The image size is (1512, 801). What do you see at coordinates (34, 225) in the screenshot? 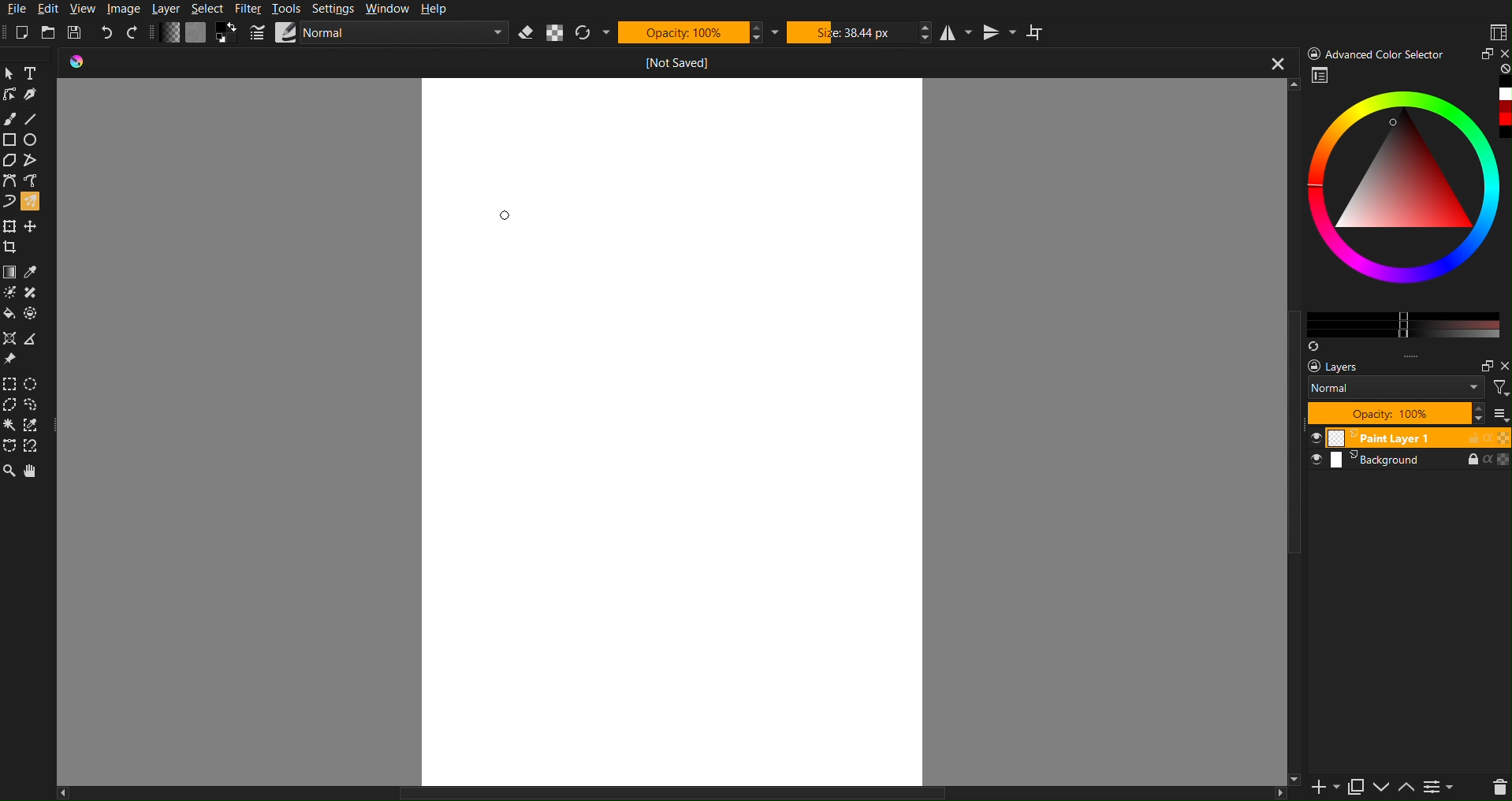
I see `Move Tool` at bounding box center [34, 225].